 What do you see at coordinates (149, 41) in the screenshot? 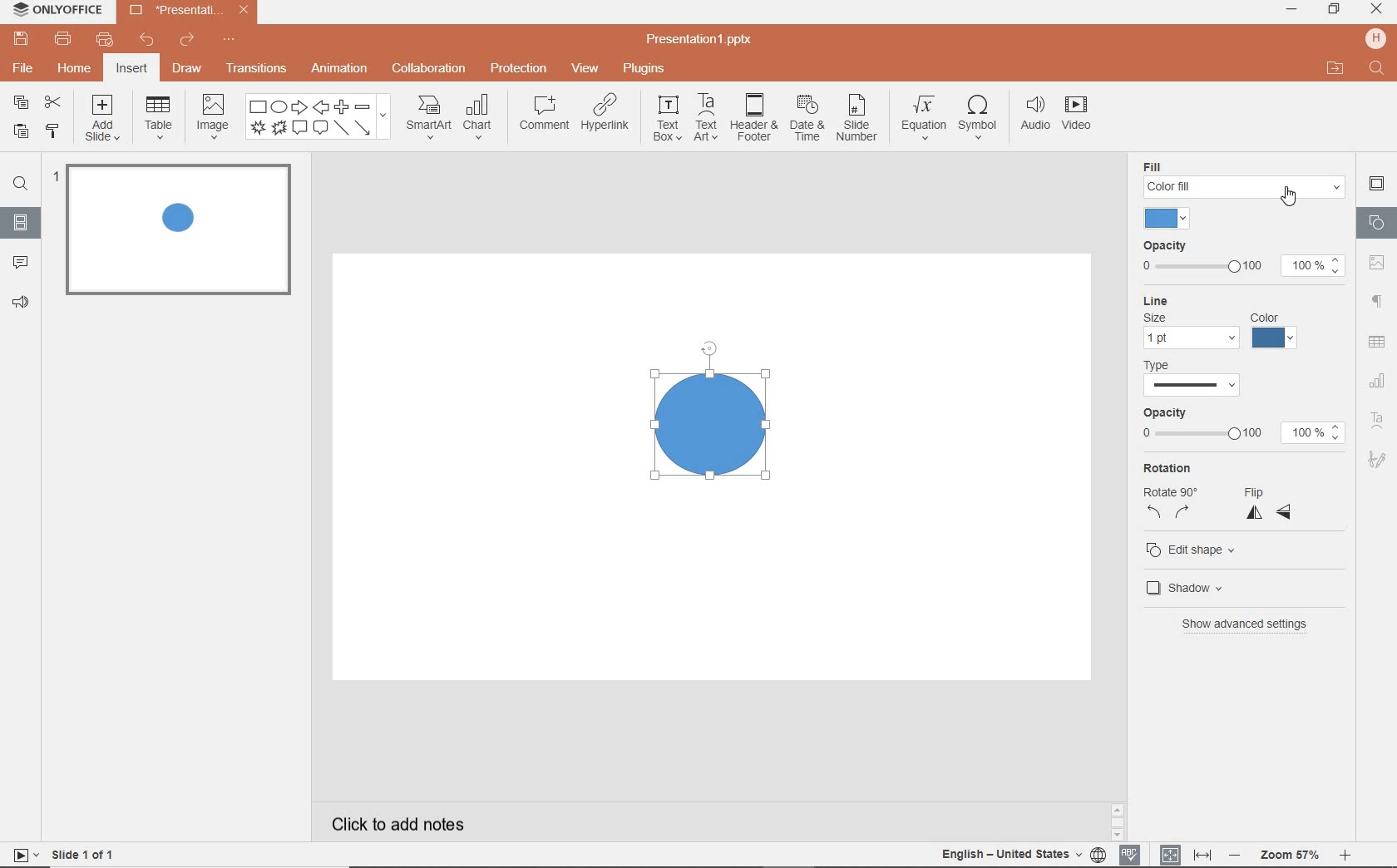
I see `undo` at bounding box center [149, 41].